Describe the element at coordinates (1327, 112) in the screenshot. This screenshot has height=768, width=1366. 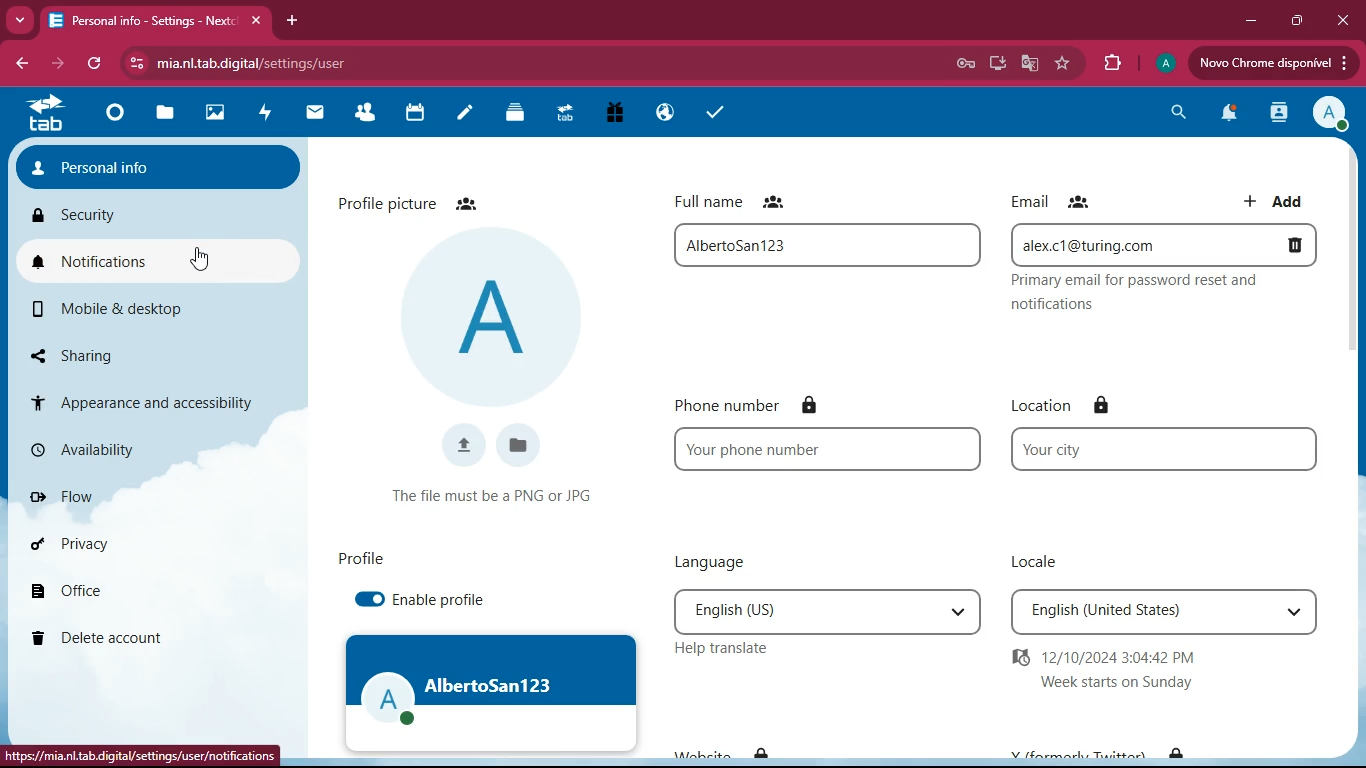
I see `profile` at that location.